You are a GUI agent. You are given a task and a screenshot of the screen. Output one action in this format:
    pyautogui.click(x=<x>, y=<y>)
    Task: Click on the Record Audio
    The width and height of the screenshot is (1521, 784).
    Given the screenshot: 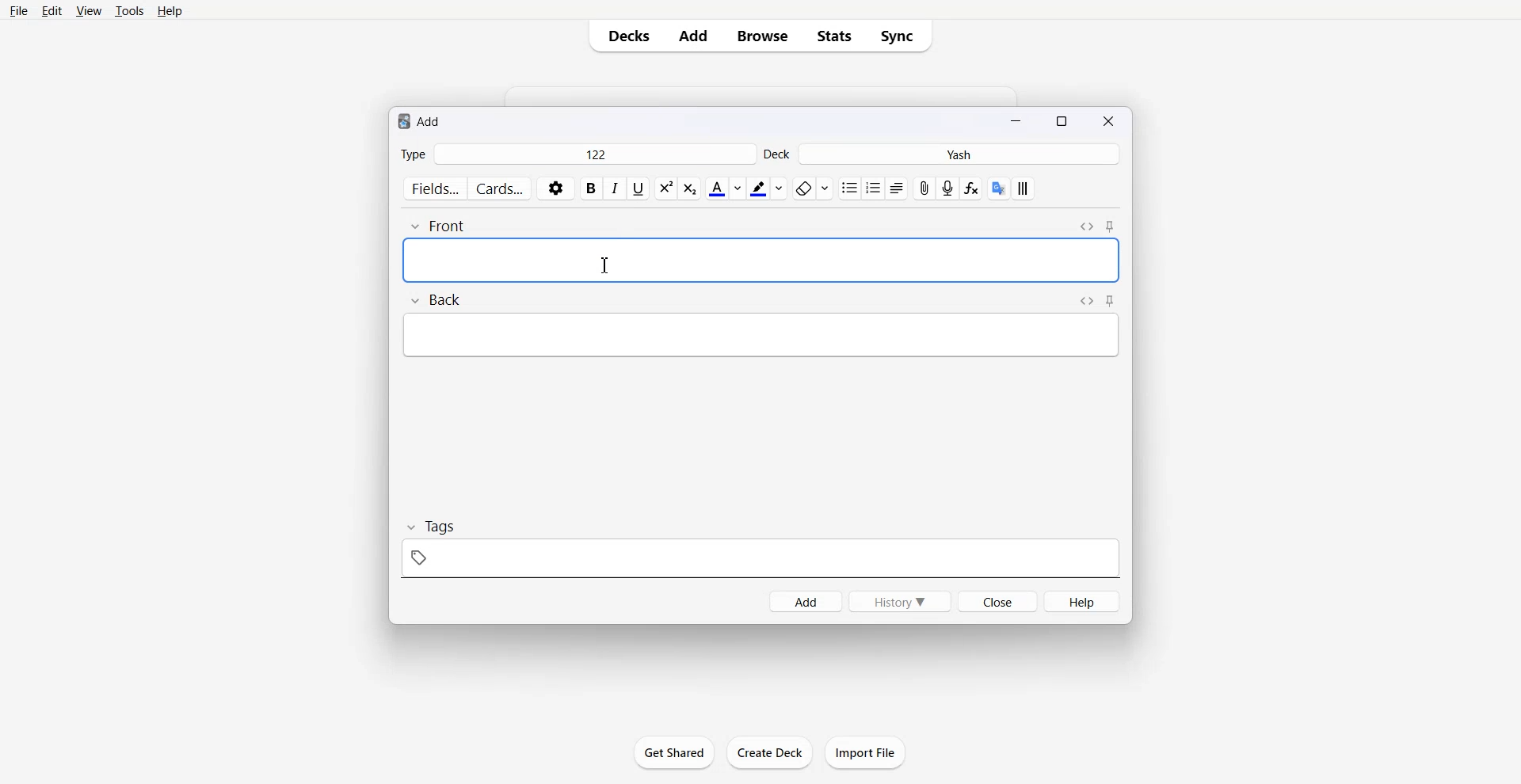 What is the action you would take?
    pyautogui.click(x=949, y=188)
    